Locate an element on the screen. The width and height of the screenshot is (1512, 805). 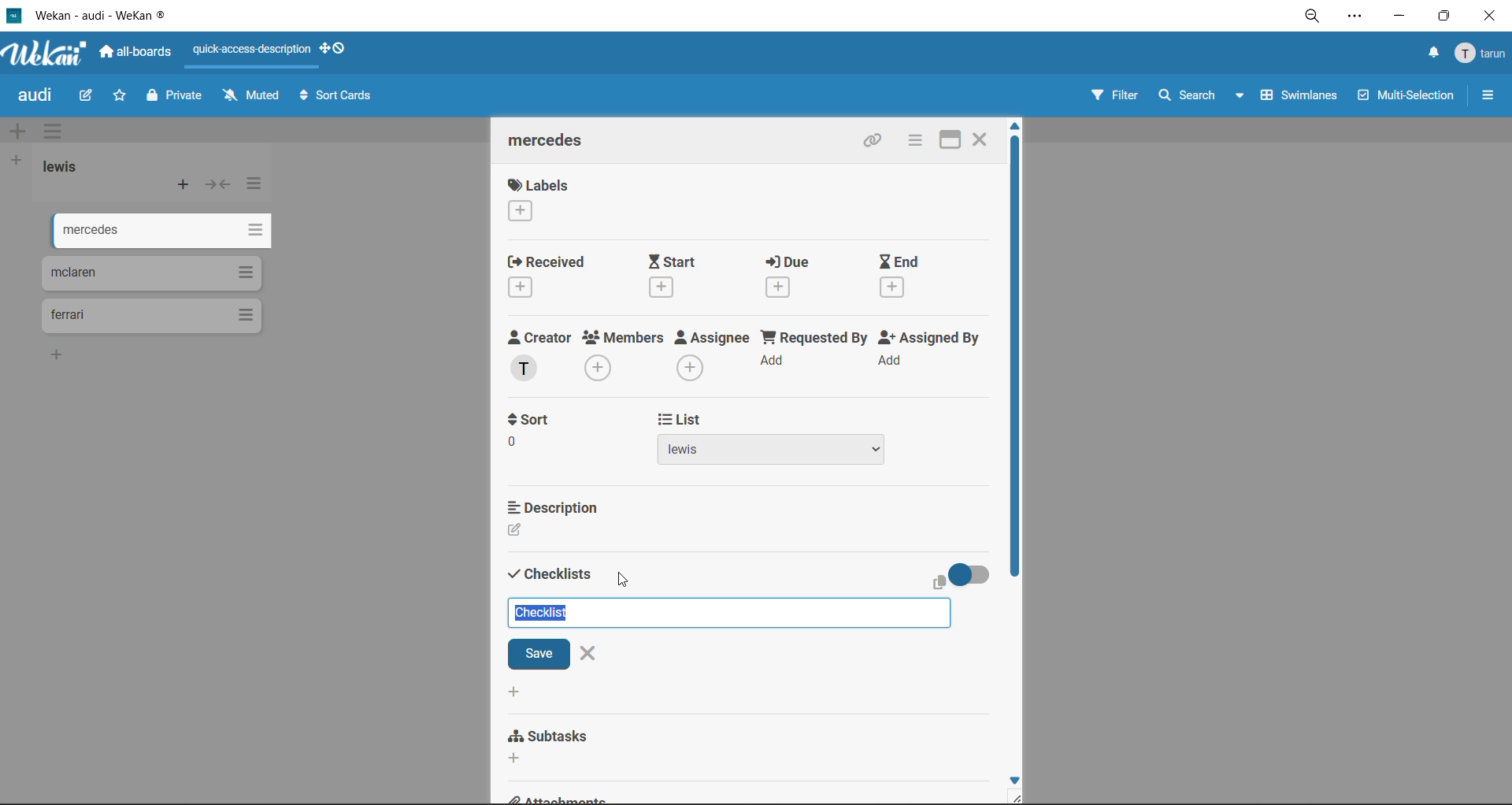
sort is located at coordinates (533, 418).